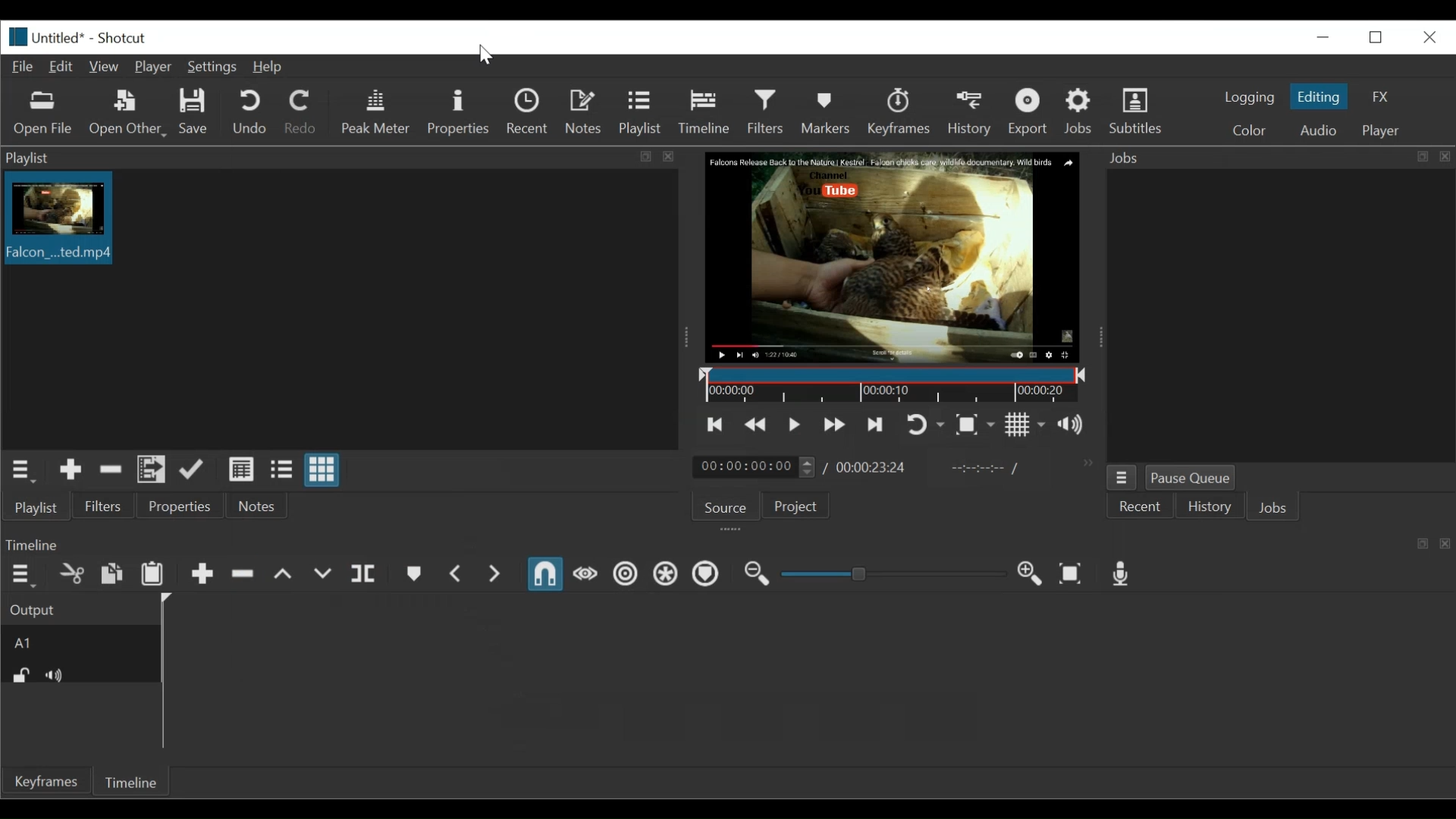 The height and width of the screenshot is (819, 1456). What do you see at coordinates (152, 470) in the screenshot?
I see `Add files to the playlist` at bounding box center [152, 470].